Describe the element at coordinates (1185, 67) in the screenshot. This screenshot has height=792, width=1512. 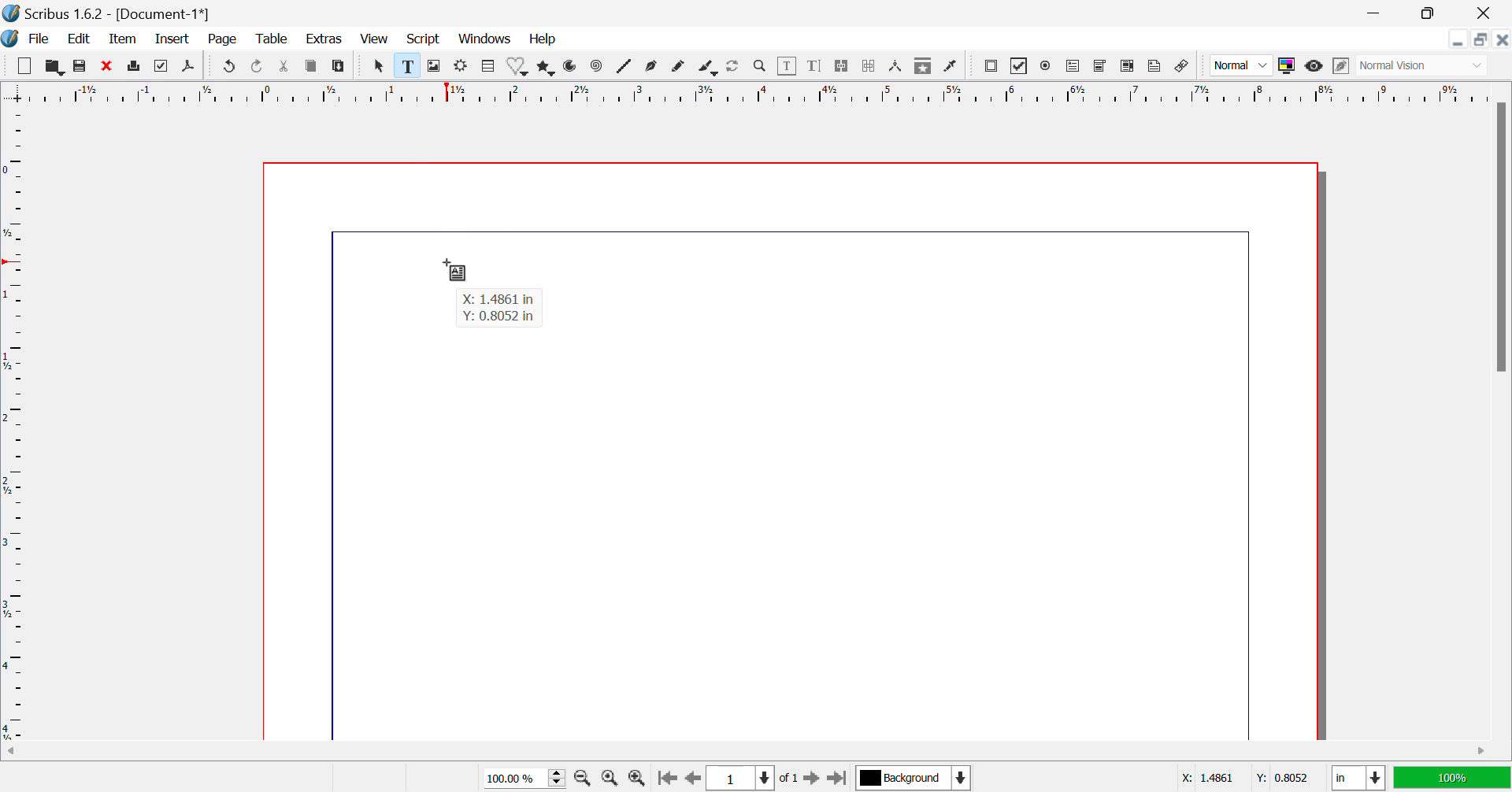
I see `Link annotation` at that location.